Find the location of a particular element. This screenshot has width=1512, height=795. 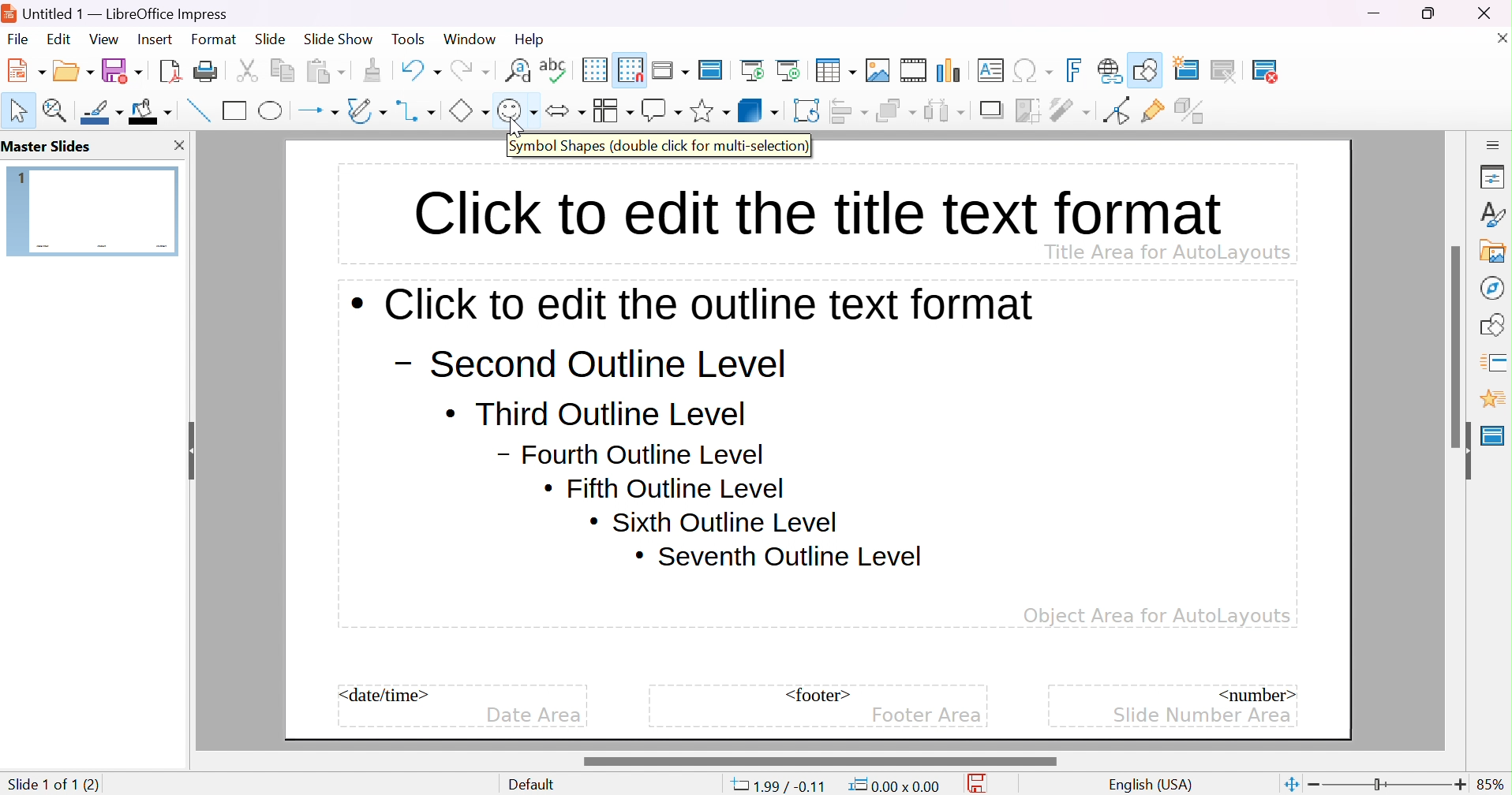

object area for autolayouts is located at coordinates (1157, 616).